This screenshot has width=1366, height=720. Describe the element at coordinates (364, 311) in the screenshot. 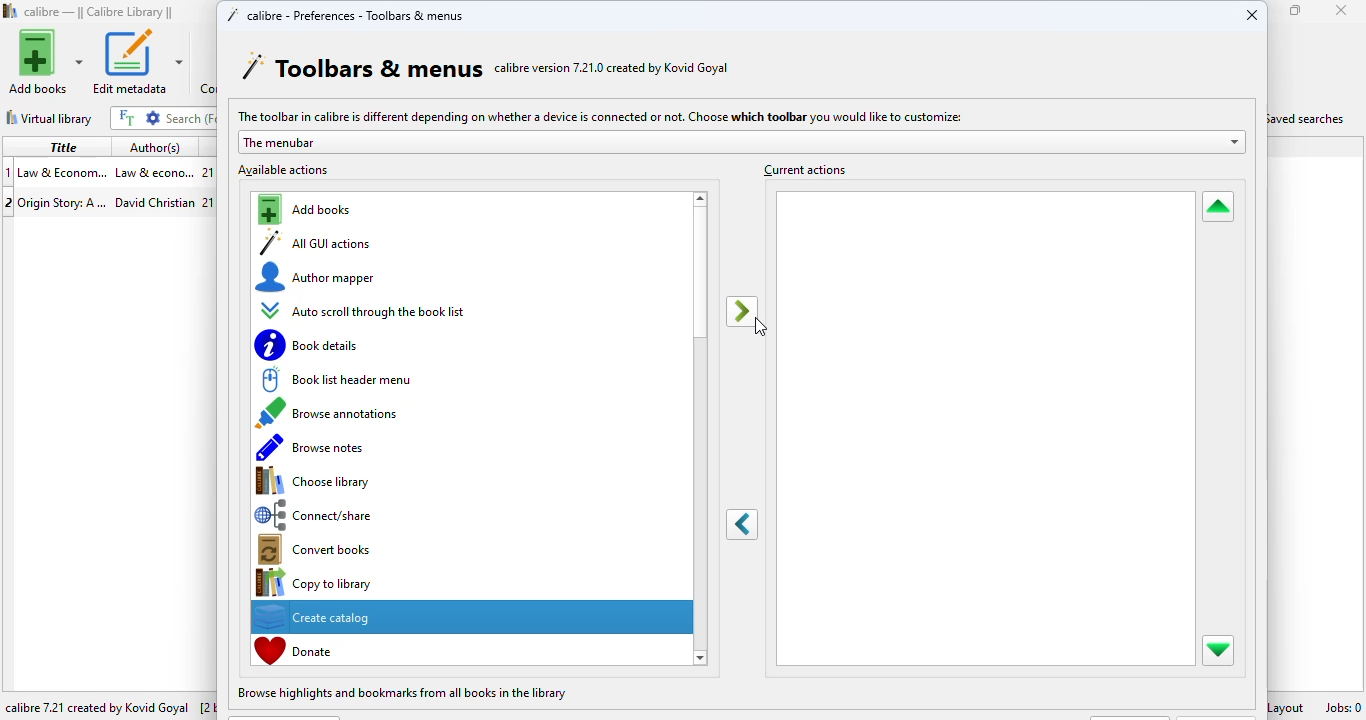

I see `auto scroll through the book list` at that location.